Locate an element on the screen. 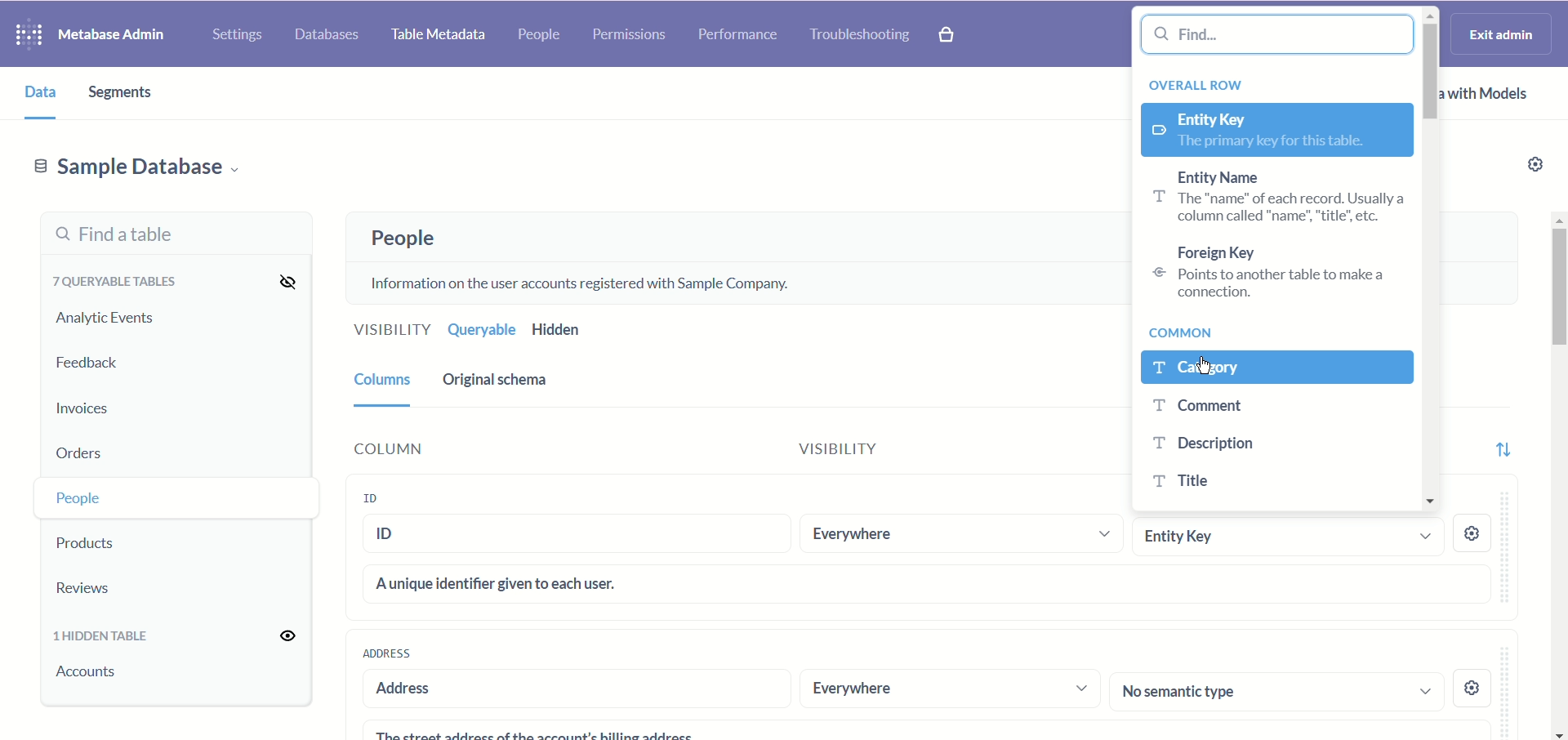 Image resolution: width=1568 pixels, height=740 pixels. Troubleshooting is located at coordinates (860, 33).